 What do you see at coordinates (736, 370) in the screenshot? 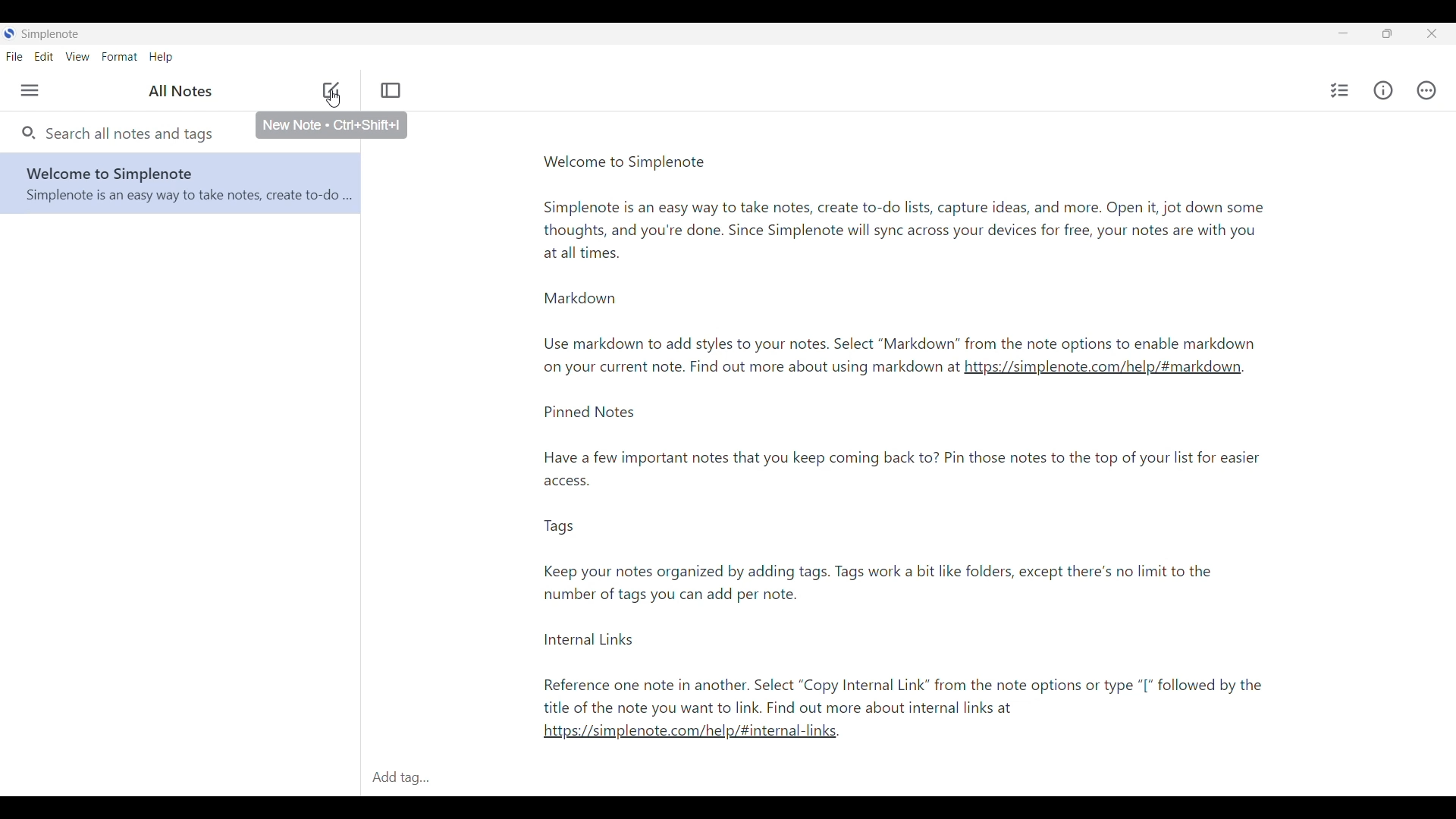
I see `Welcome text` at bounding box center [736, 370].